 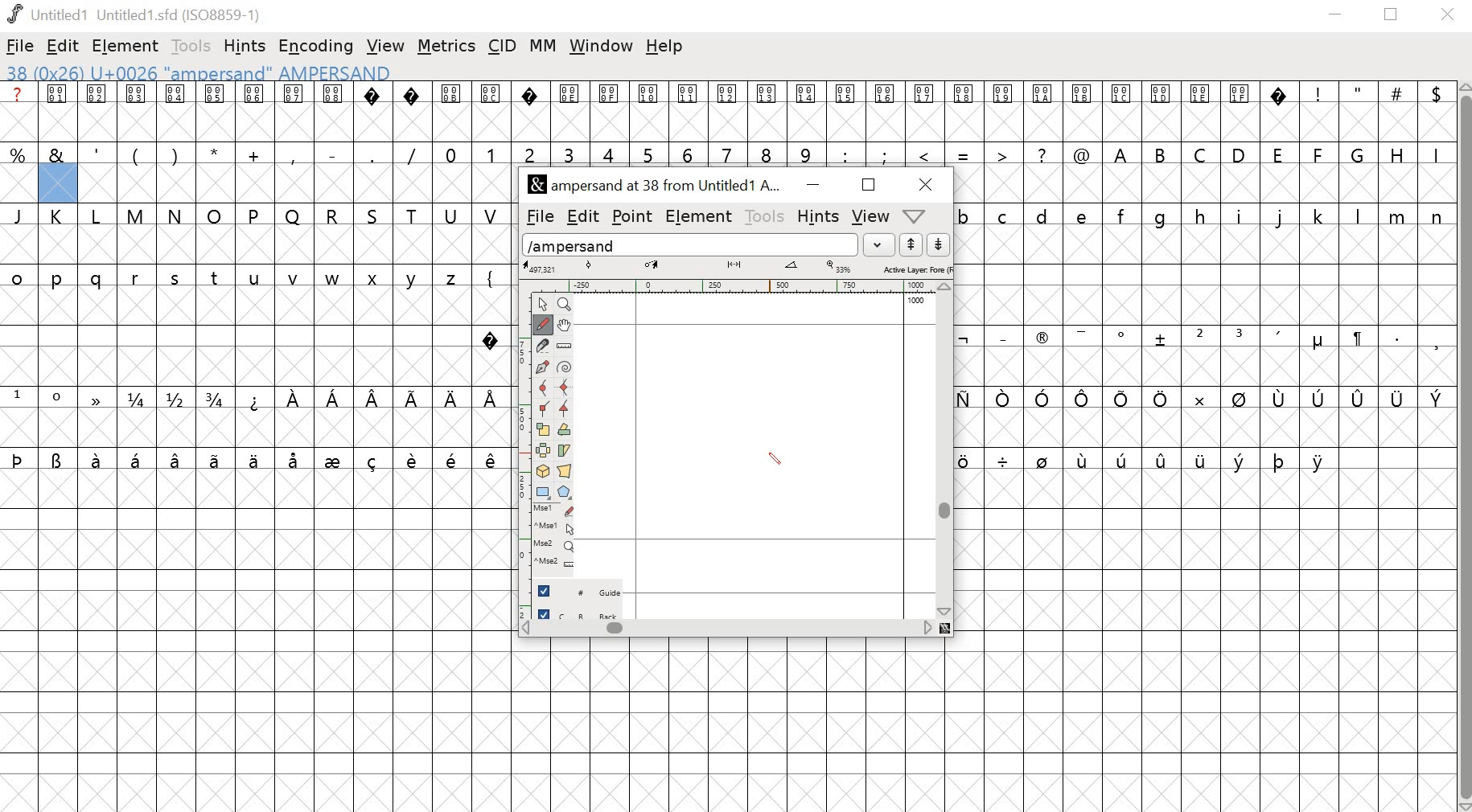 What do you see at coordinates (331, 152) in the screenshot?
I see `-` at bounding box center [331, 152].